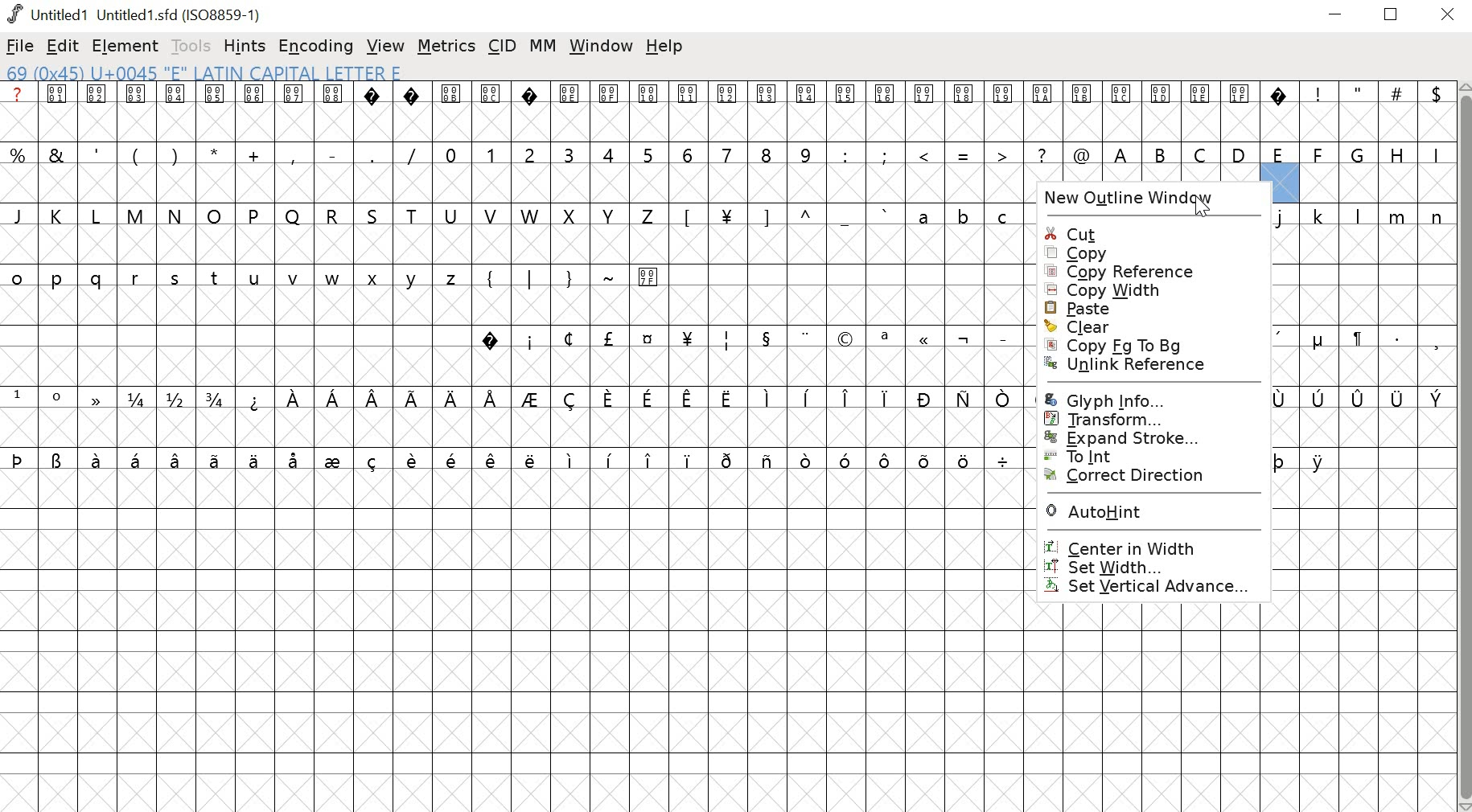  Describe the element at coordinates (514, 185) in the screenshot. I see `empty cells` at that location.